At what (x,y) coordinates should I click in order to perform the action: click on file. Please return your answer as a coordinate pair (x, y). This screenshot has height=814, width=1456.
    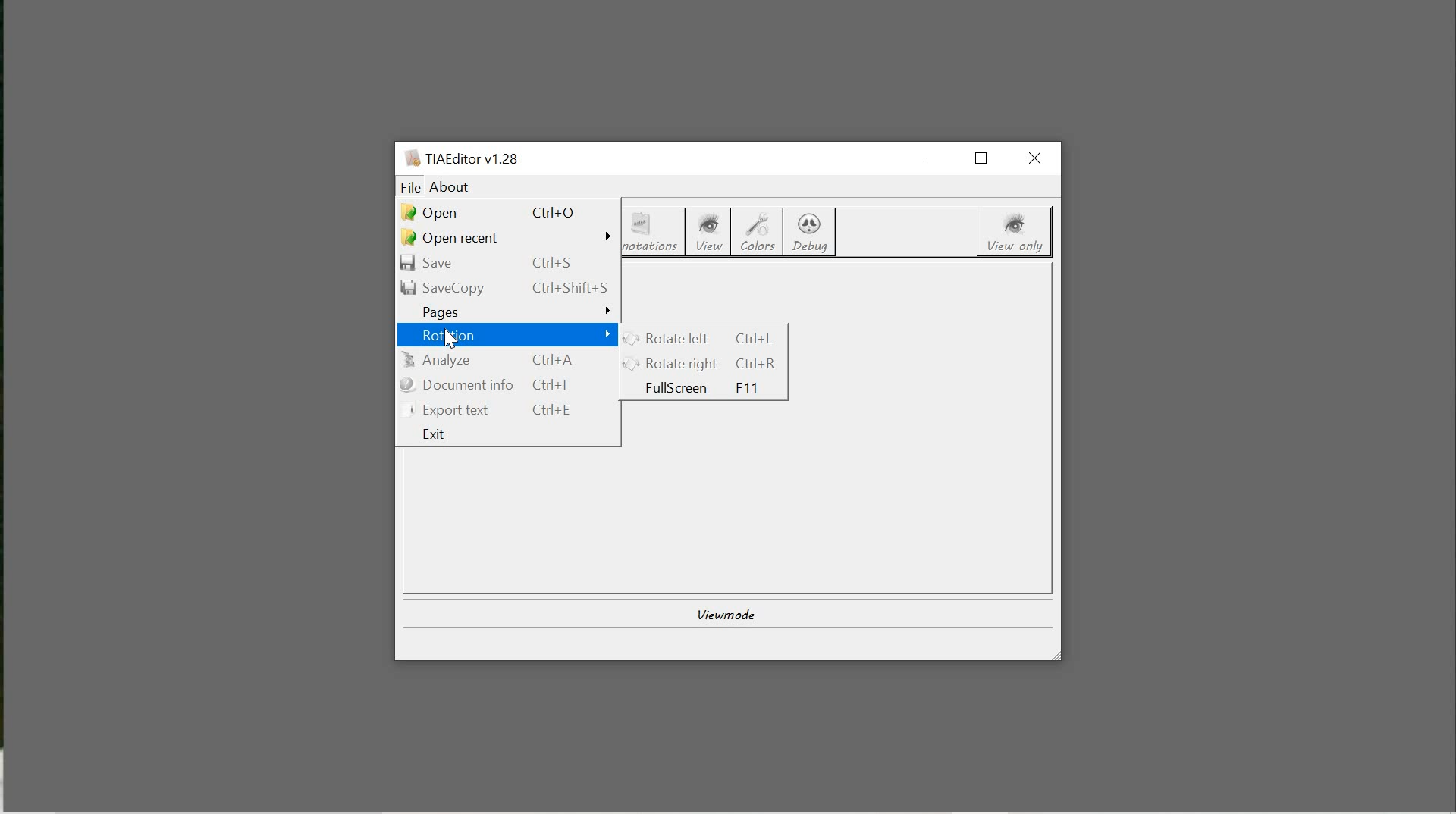
    Looking at the image, I should click on (410, 187).